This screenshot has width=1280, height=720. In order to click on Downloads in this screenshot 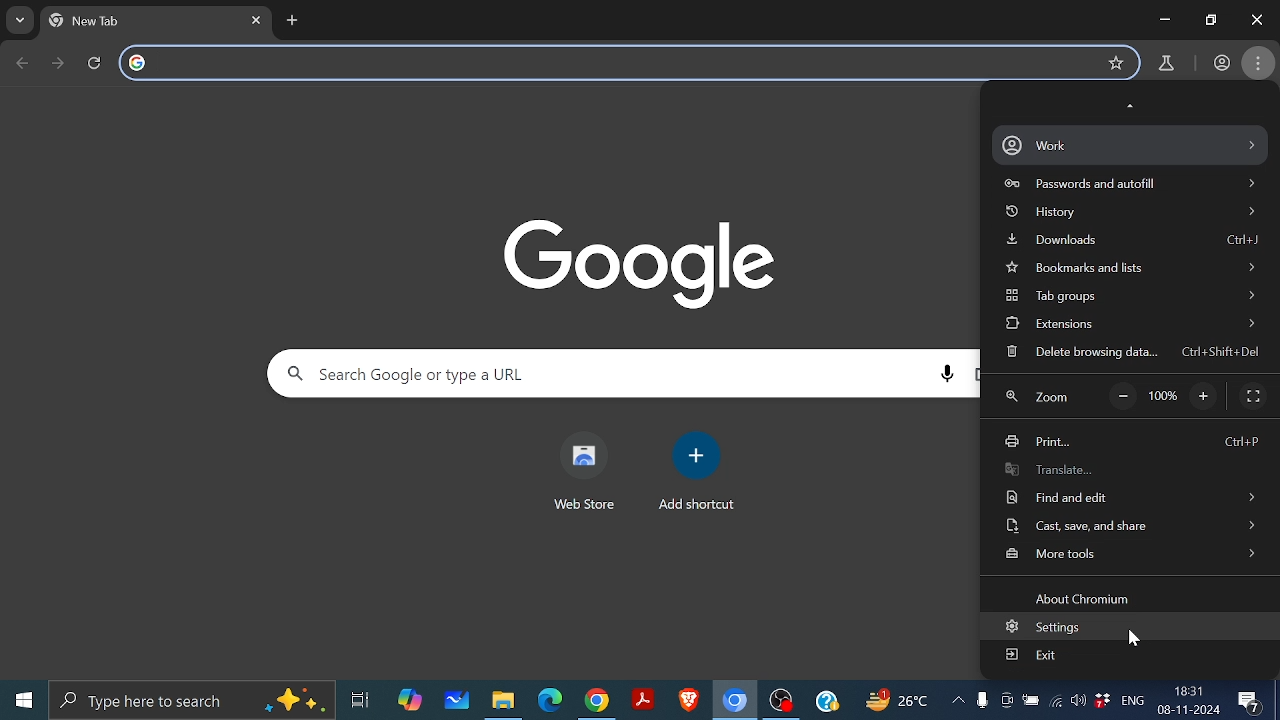, I will do `click(1135, 241)`.